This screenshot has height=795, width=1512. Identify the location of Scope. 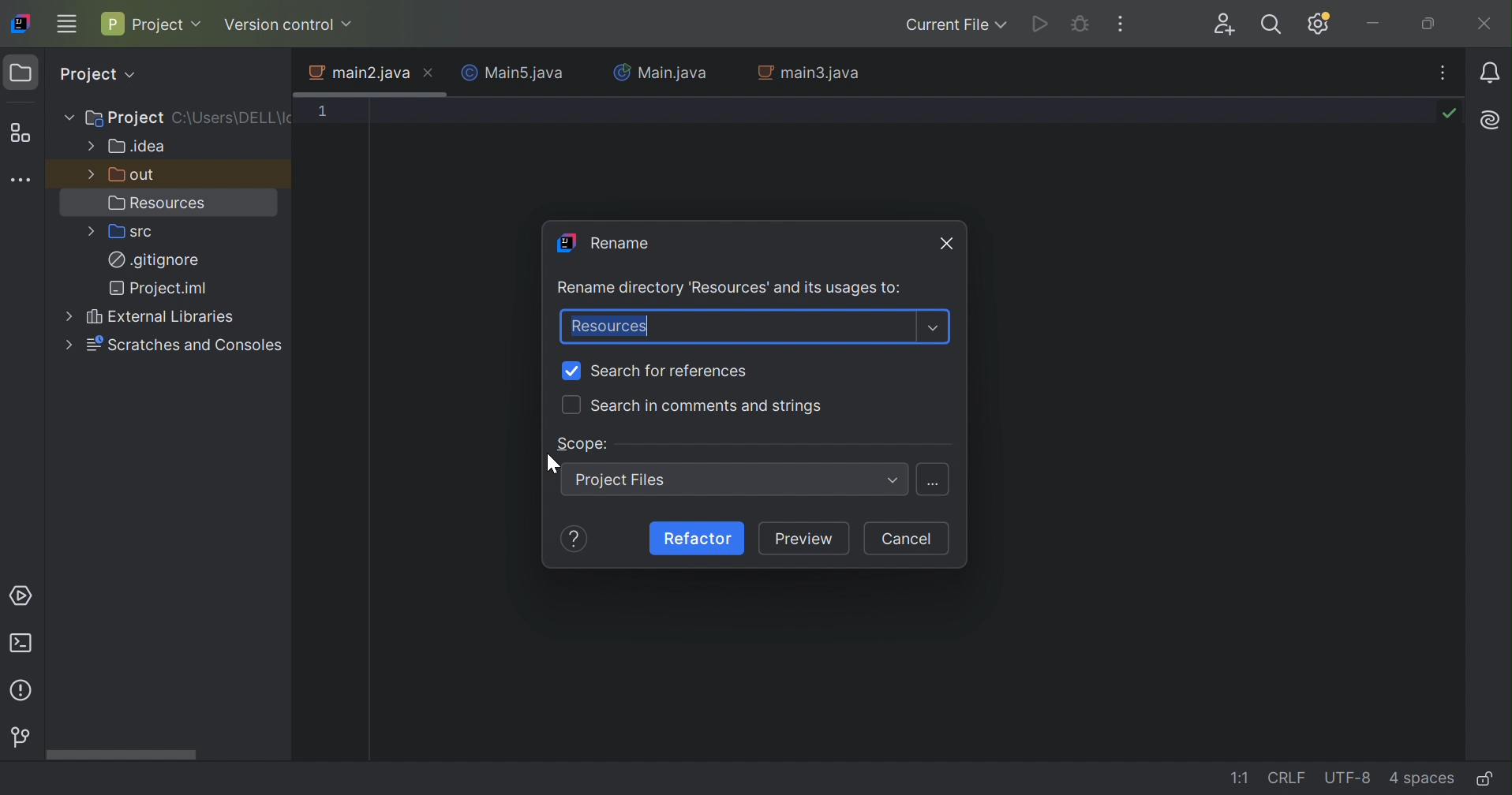
(584, 443).